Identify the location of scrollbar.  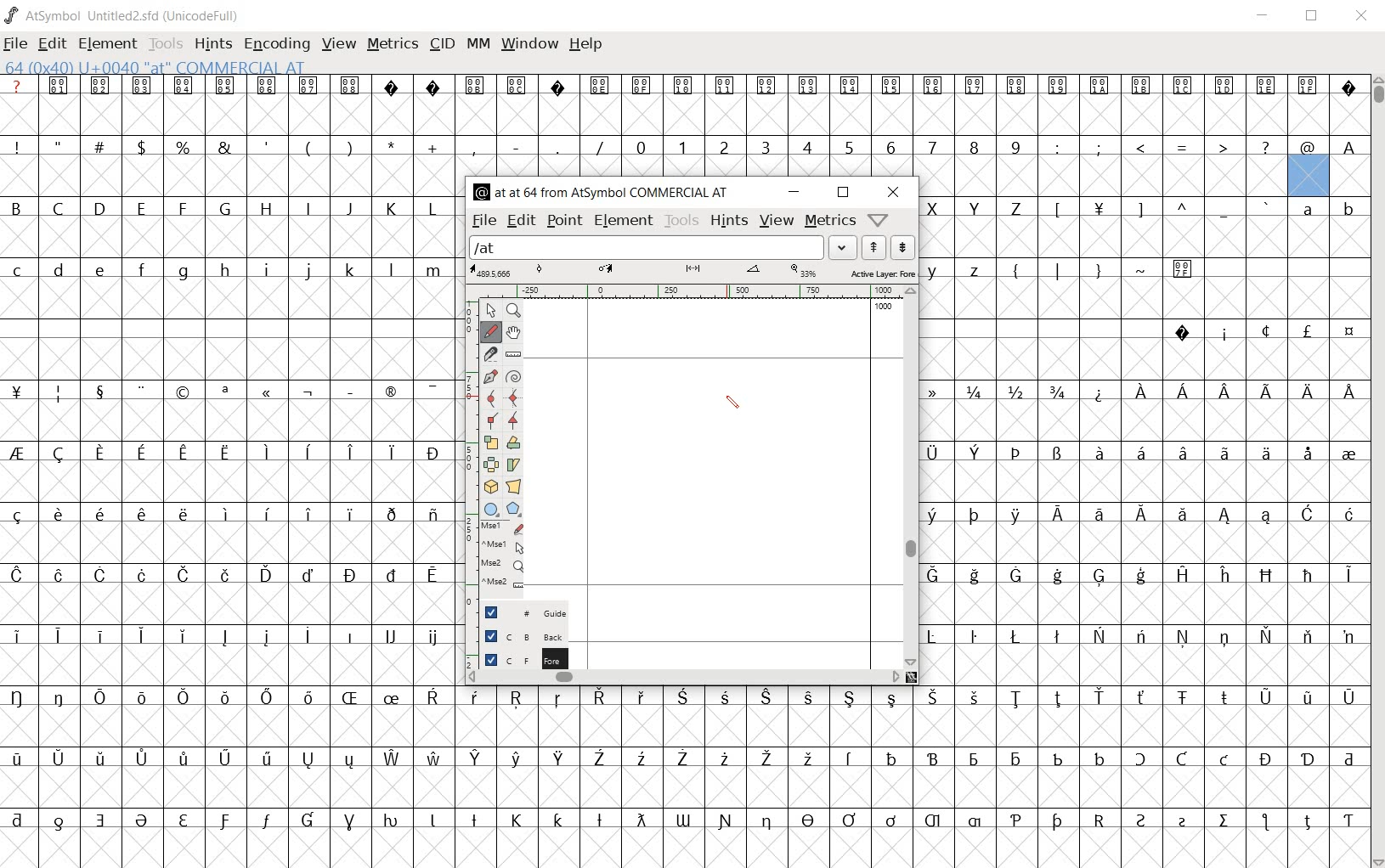
(684, 678).